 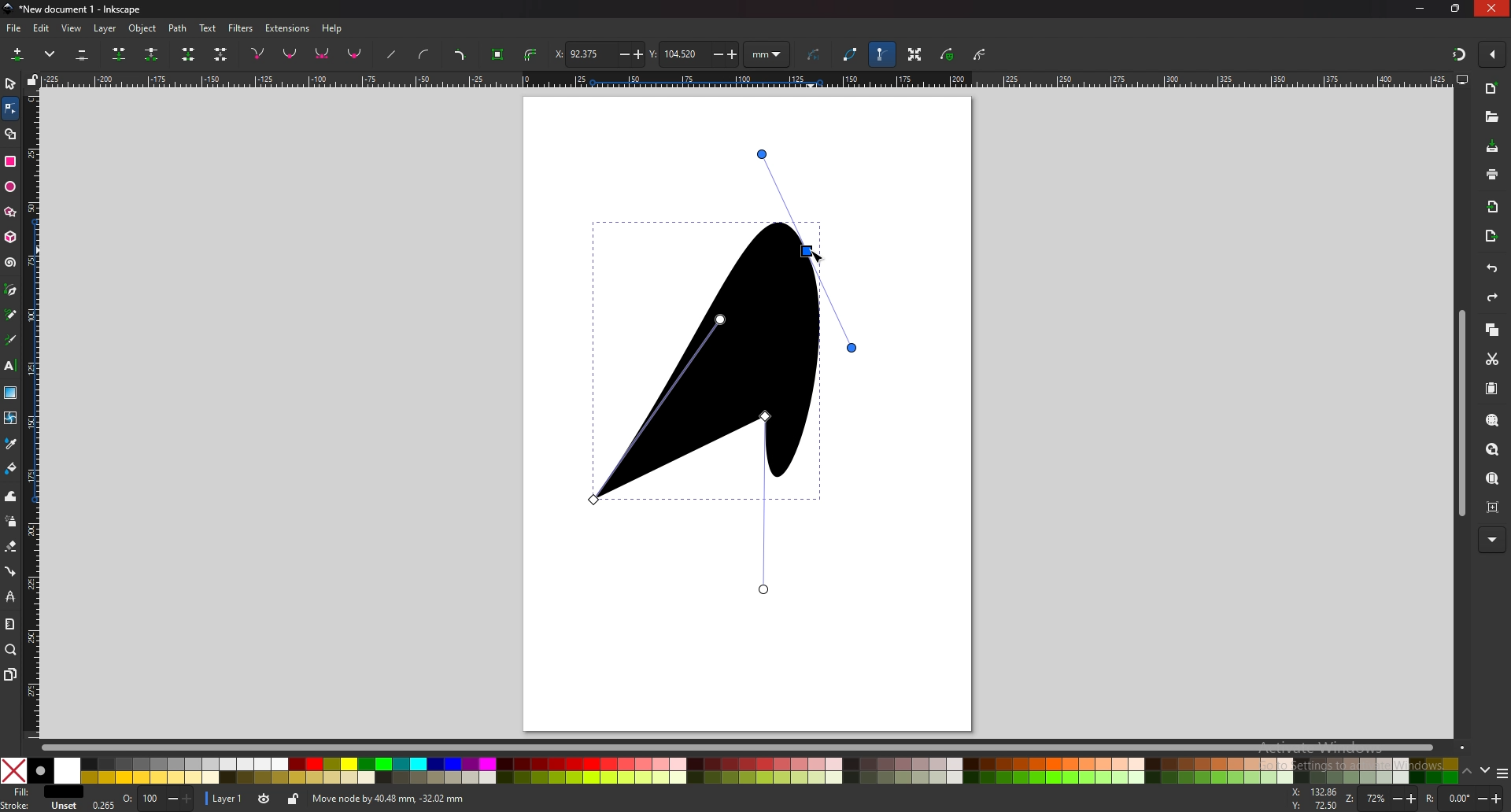 What do you see at coordinates (332, 29) in the screenshot?
I see `help` at bounding box center [332, 29].